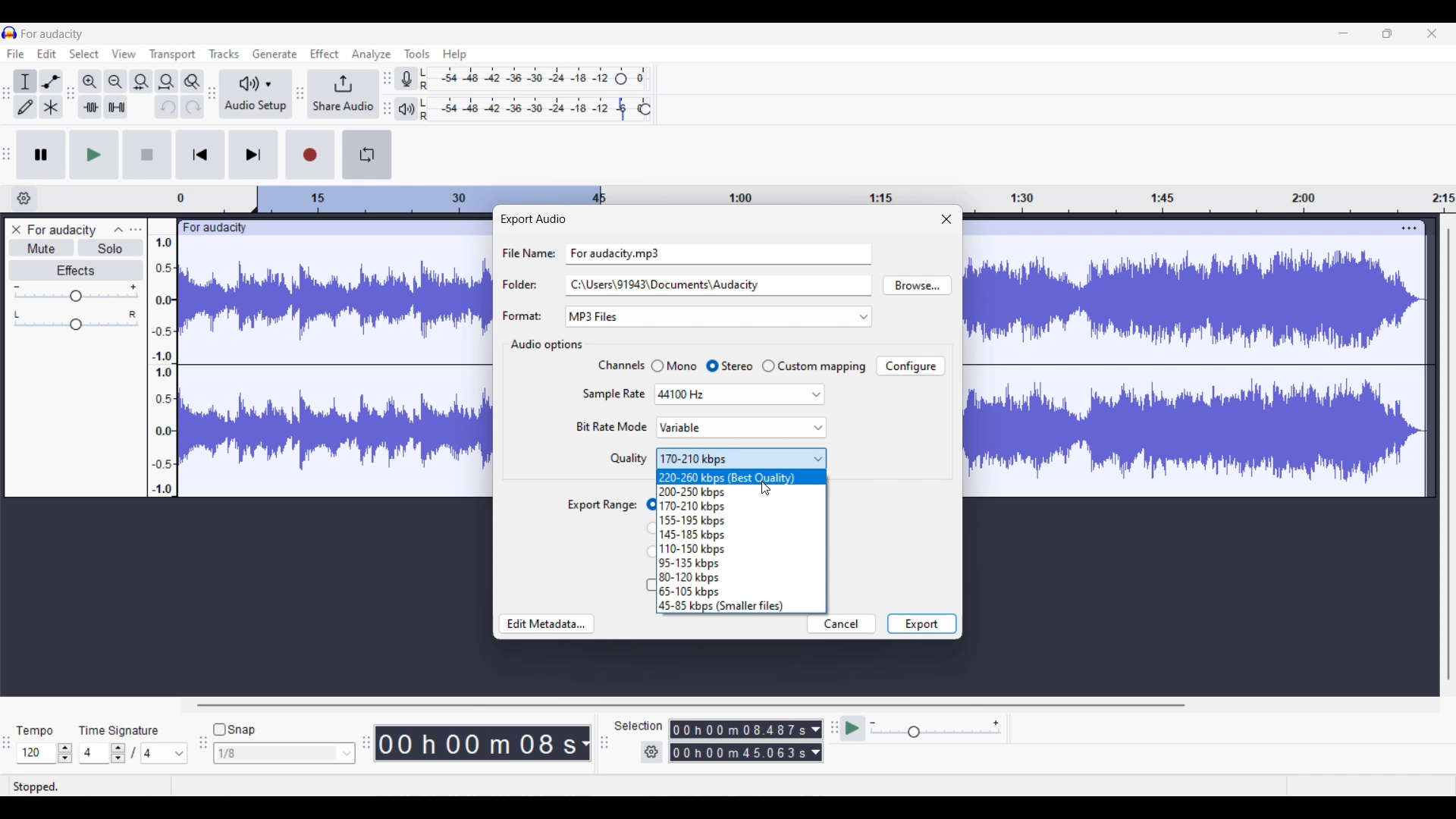 This screenshot has height=819, width=1456. I want to click on Quality options, so click(727, 541).